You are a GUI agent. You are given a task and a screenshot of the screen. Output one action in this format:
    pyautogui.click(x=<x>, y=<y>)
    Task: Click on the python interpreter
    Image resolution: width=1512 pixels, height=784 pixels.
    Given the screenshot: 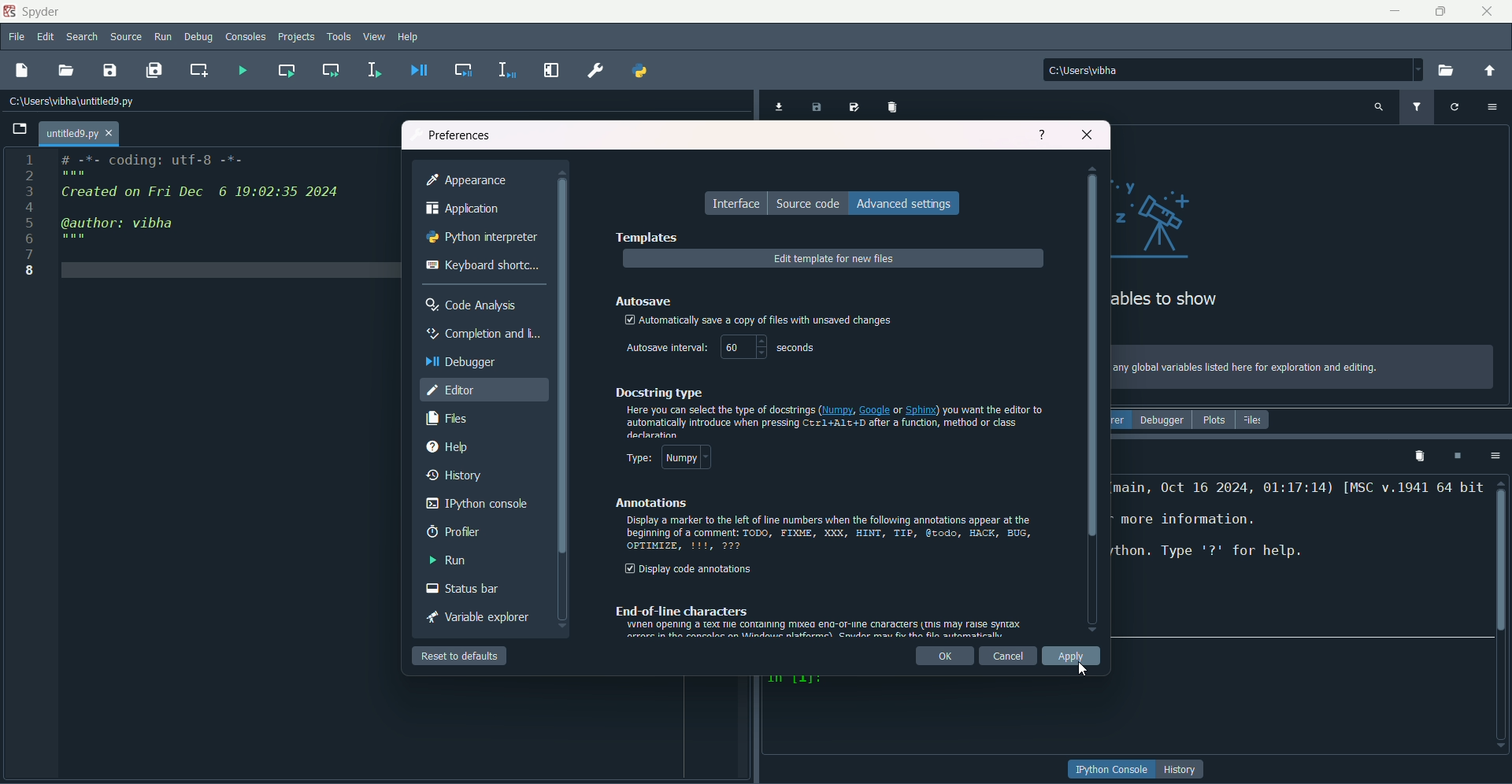 What is the action you would take?
    pyautogui.click(x=483, y=238)
    